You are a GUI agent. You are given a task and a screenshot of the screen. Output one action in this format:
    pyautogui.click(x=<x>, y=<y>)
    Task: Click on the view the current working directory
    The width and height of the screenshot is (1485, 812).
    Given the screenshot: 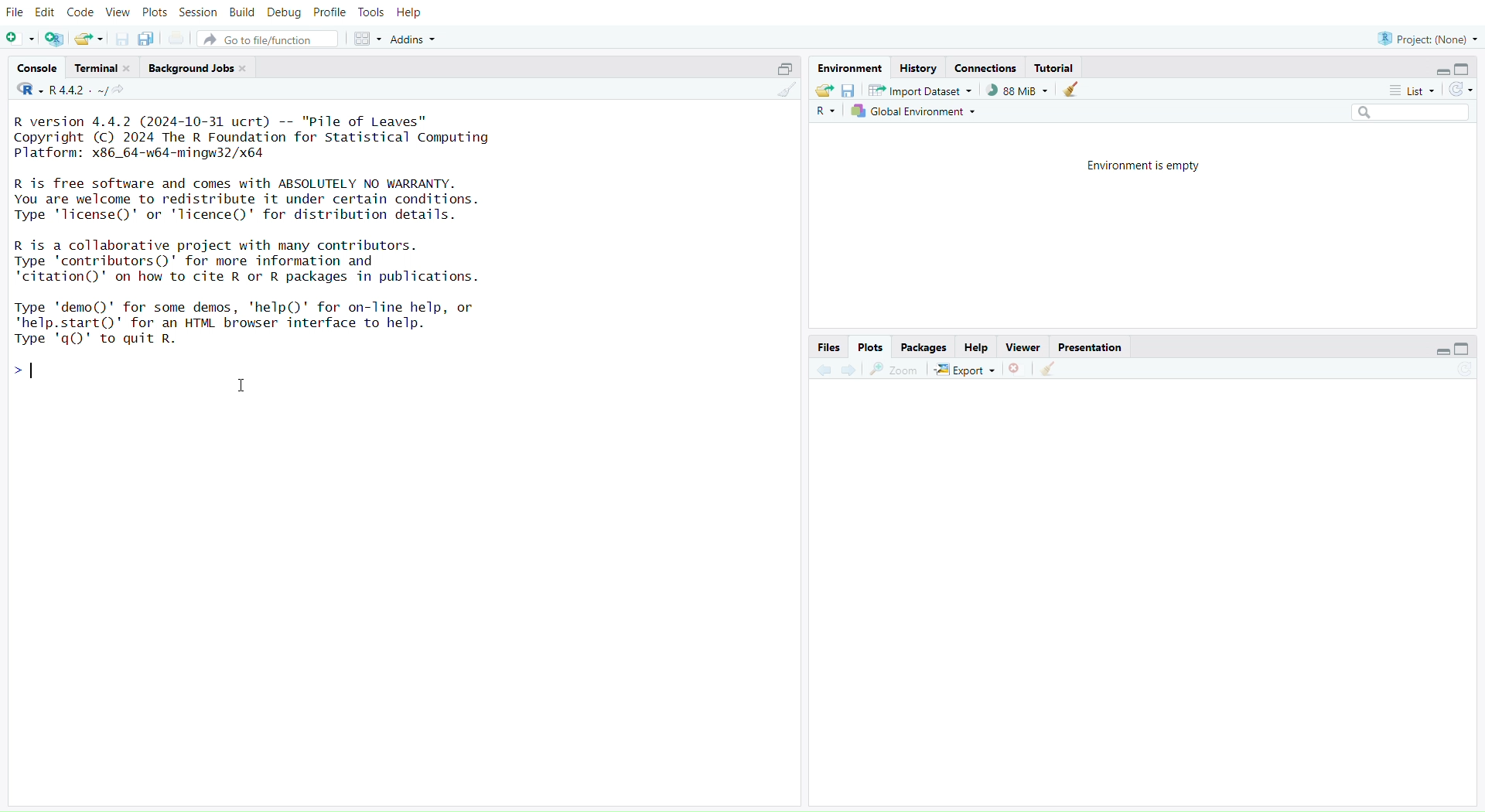 What is the action you would take?
    pyautogui.click(x=120, y=91)
    